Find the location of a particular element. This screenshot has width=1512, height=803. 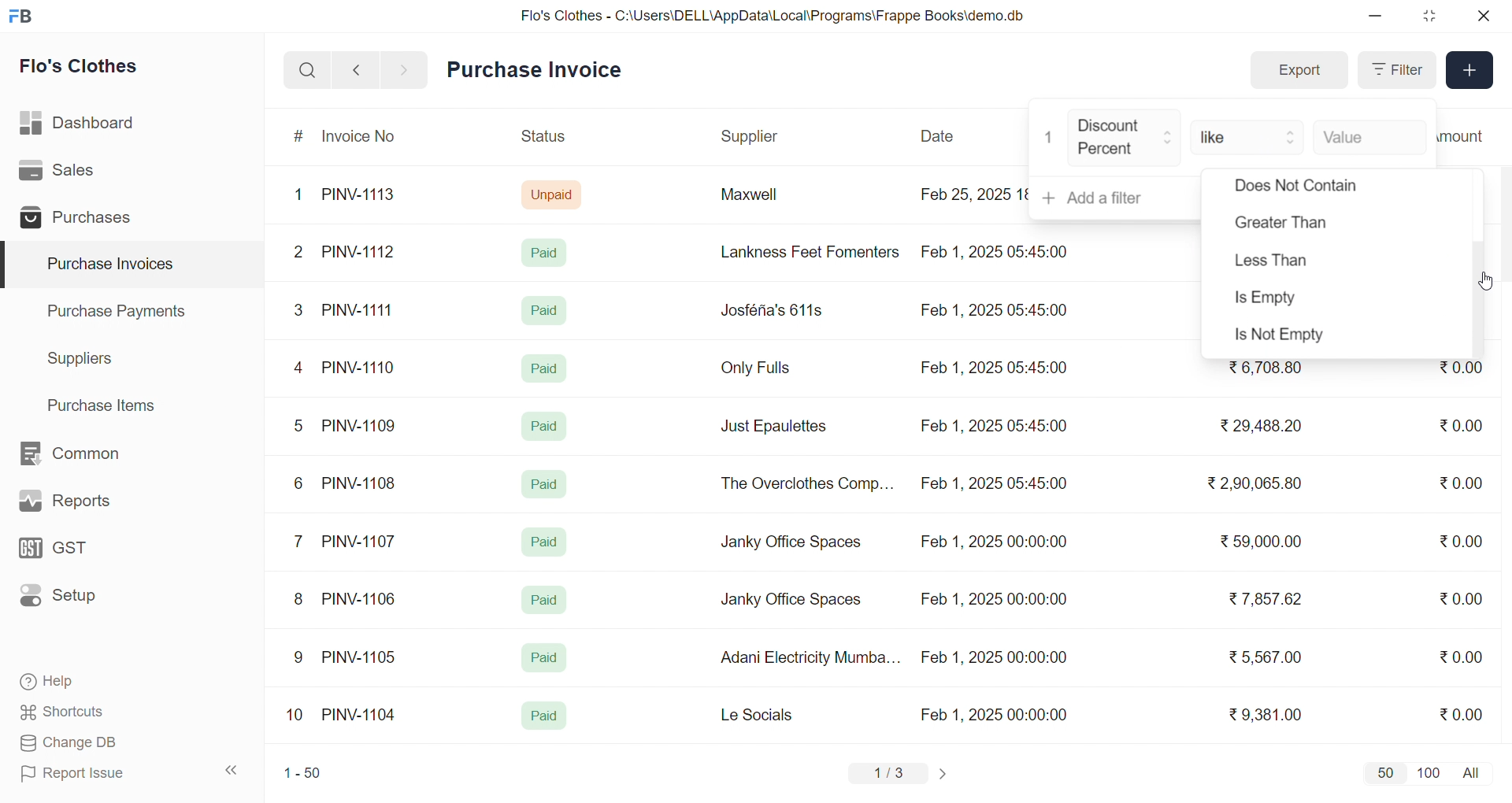

PINV-1110 is located at coordinates (360, 367).